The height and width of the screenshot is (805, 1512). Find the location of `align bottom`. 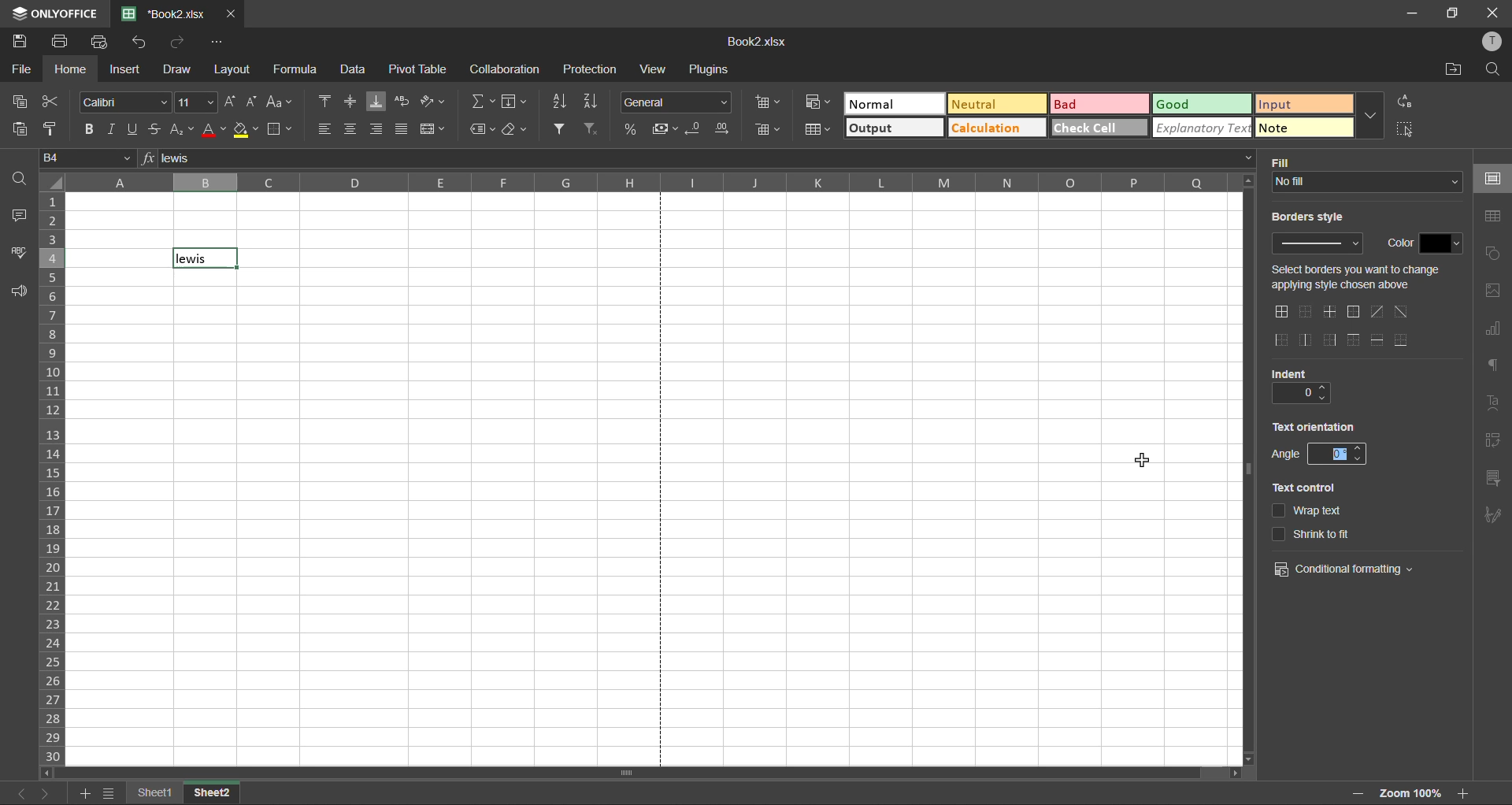

align bottom is located at coordinates (375, 102).